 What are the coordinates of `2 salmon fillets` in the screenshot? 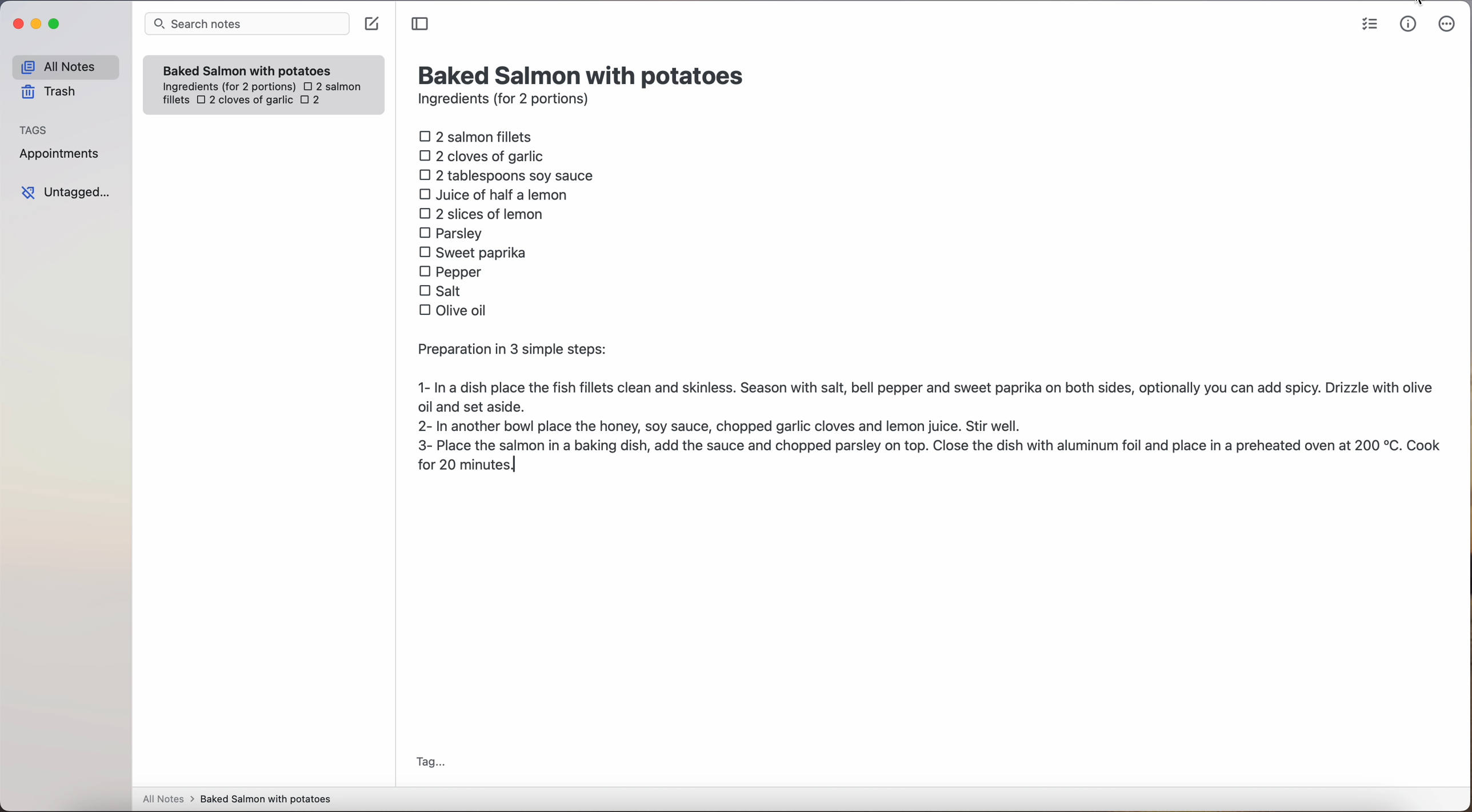 It's located at (479, 135).